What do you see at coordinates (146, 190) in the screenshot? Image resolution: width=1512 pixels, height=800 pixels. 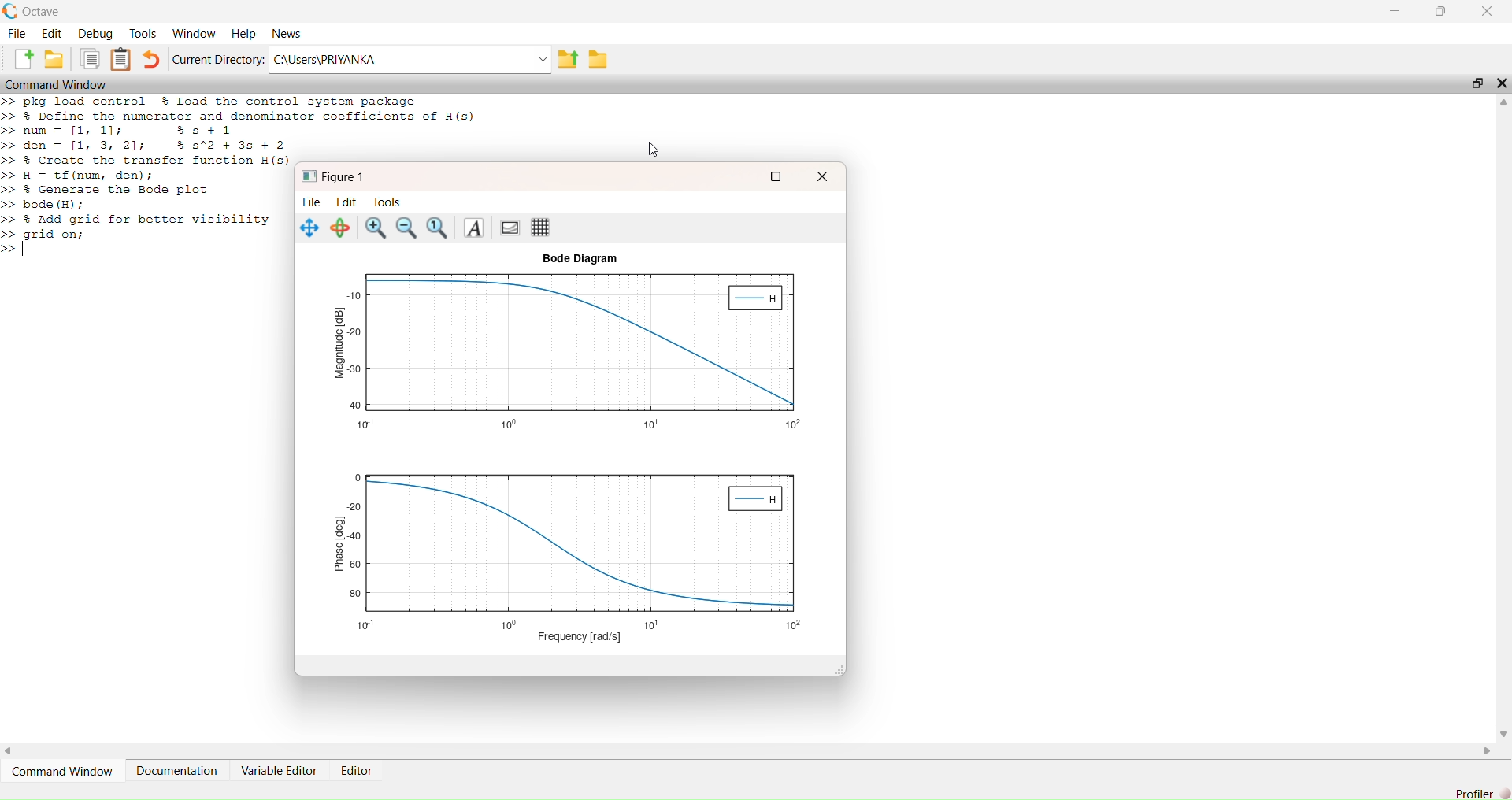 I see `>> num = [1, 1]; Fs +1

>> den = [1, 3, 2]; % 872 +35 + 2
>> & Create the transfer function H(s)
>> HB = tf(num, den);

>> % Generate the Bode plot

>> bode (H) ;

>> % Add grid for better visibility
>> grid on;

os |` at bounding box center [146, 190].